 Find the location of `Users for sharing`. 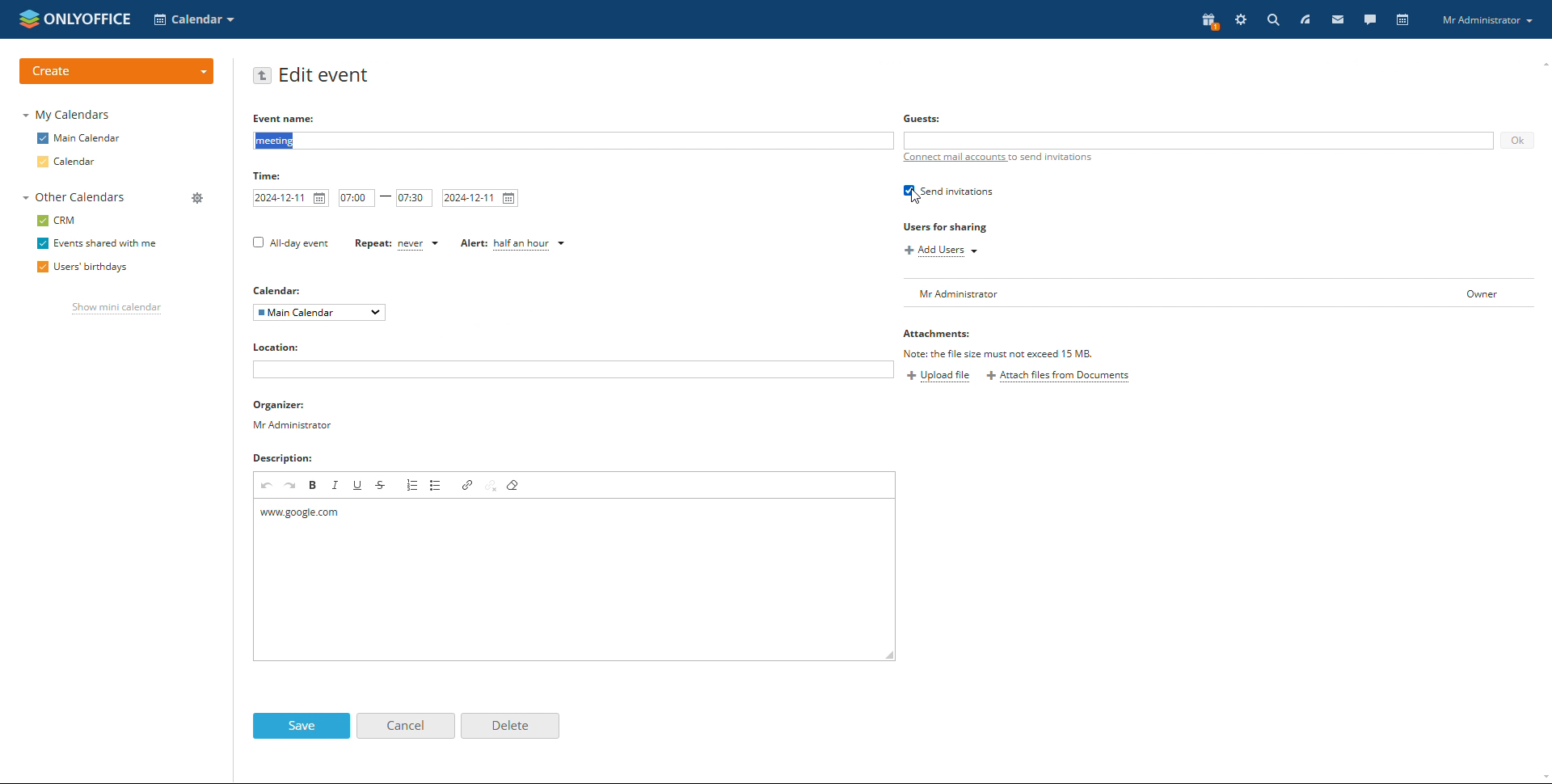

Users for sharing is located at coordinates (947, 228).